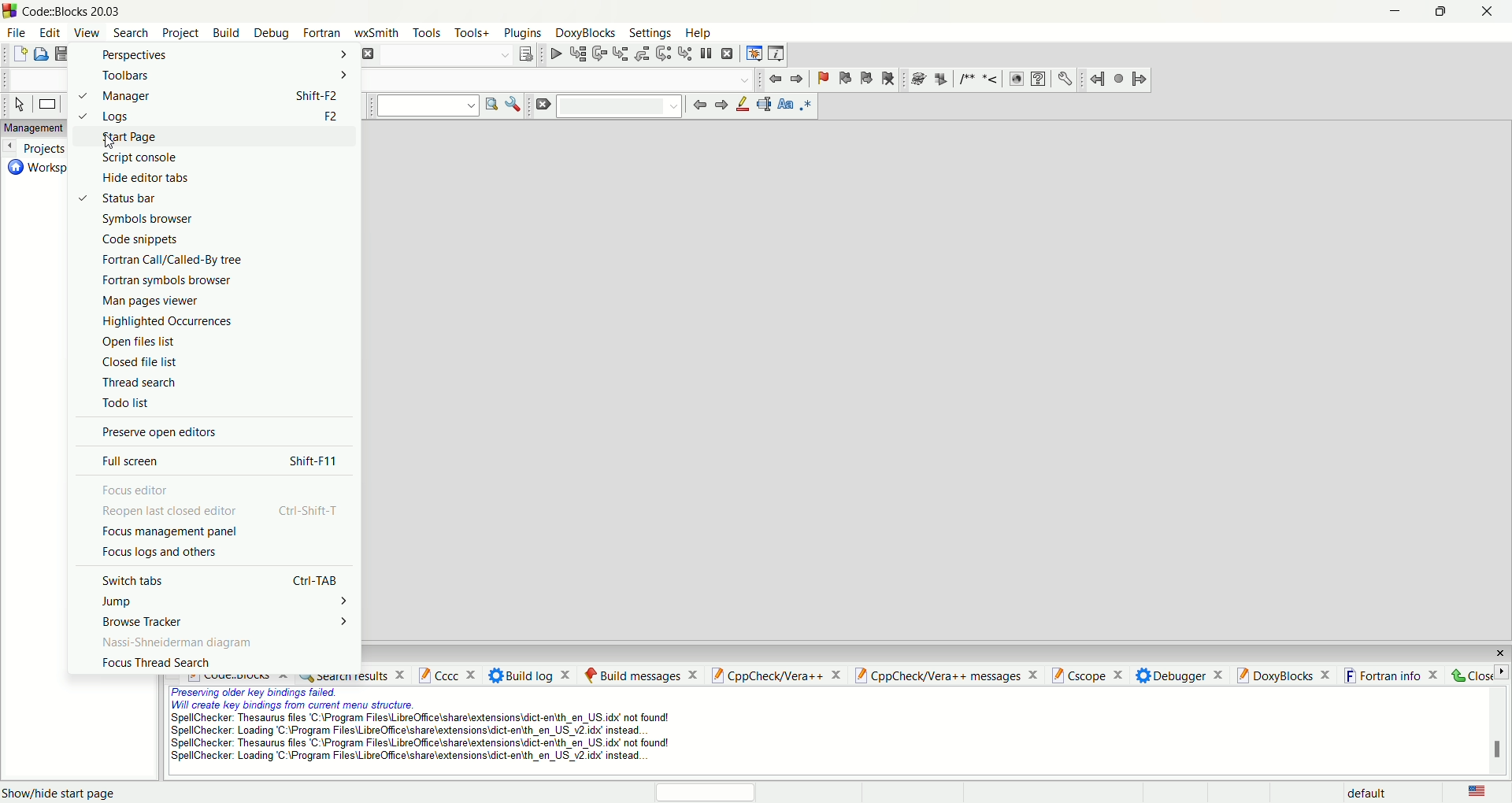 This screenshot has height=803, width=1512. What do you see at coordinates (1180, 676) in the screenshot?
I see `debugger` at bounding box center [1180, 676].